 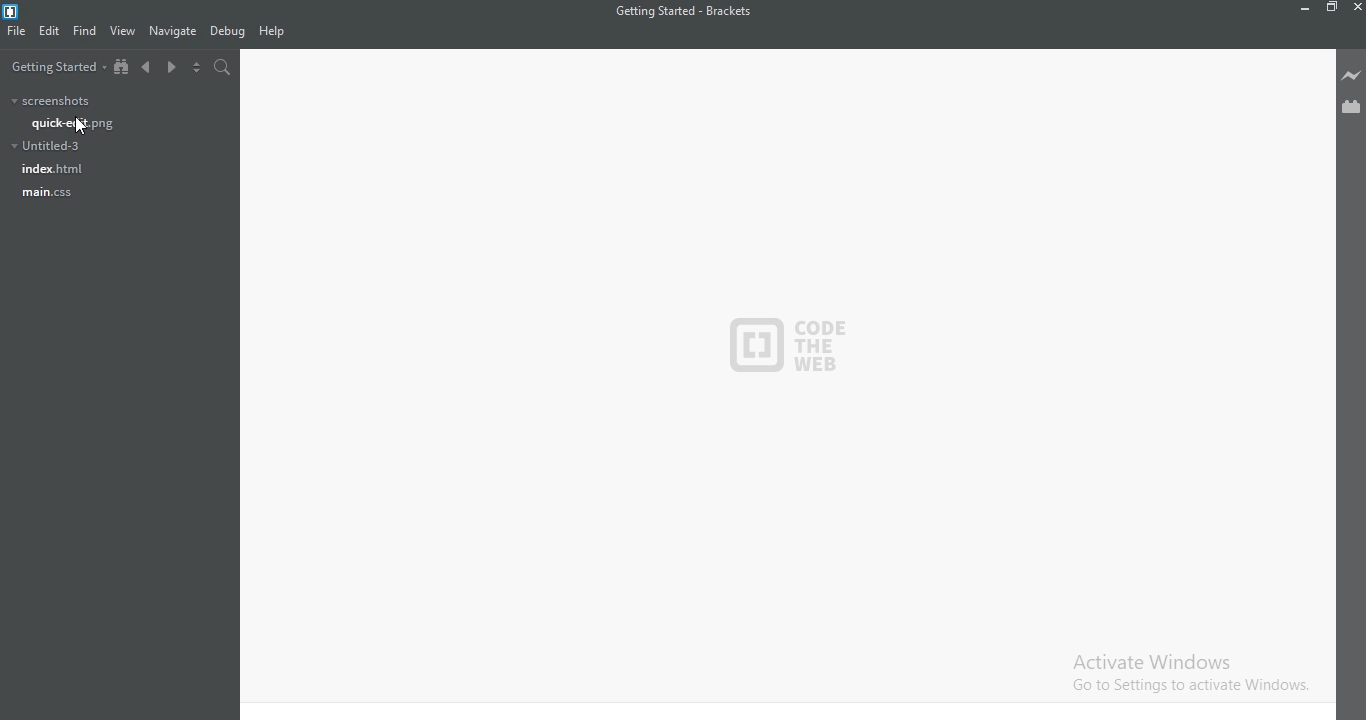 I want to click on untitled-3, so click(x=53, y=145).